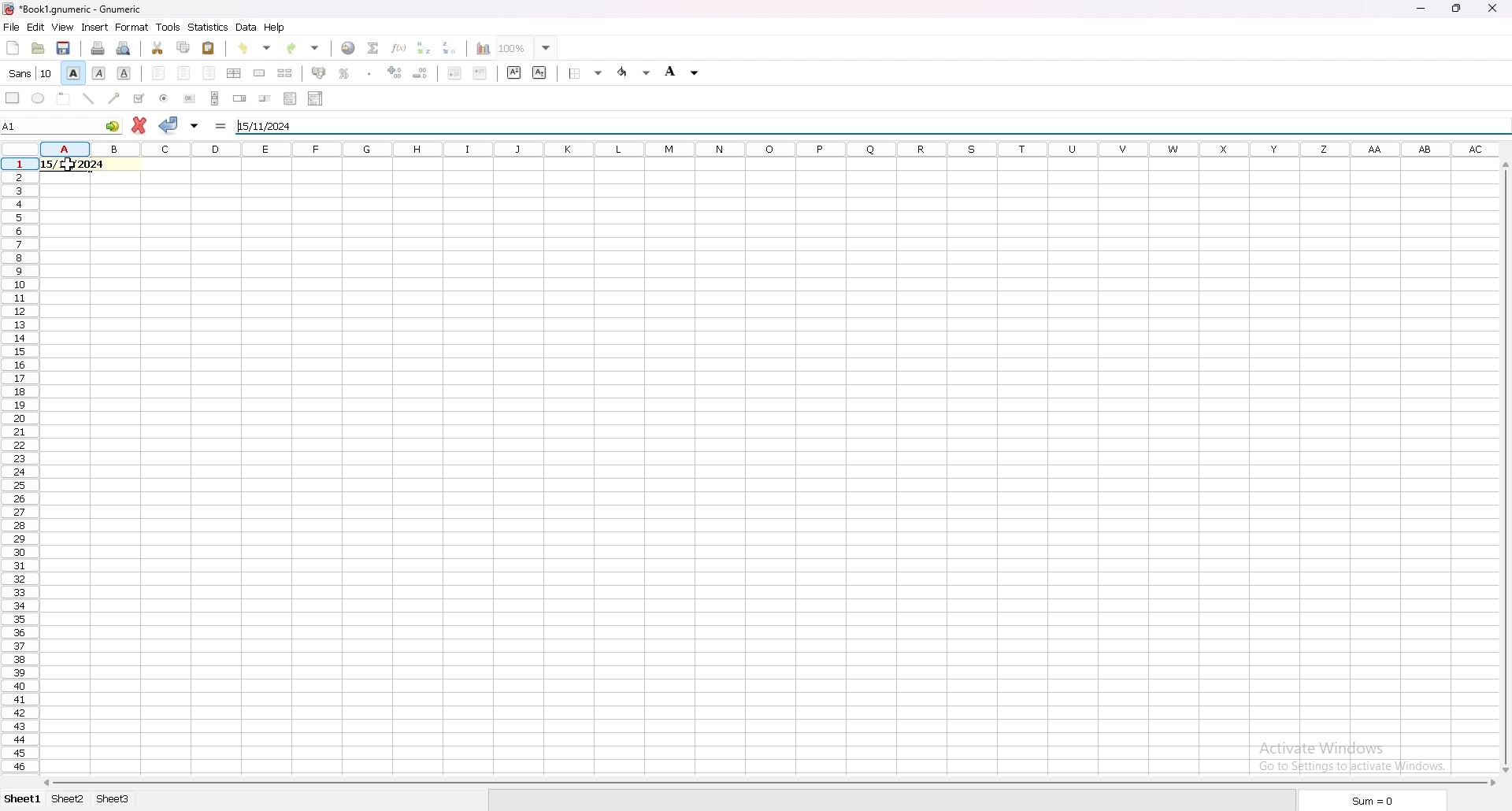 Image resolution: width=1512 pixels, height=811 pixels. What do you see at coordinates (18, 468) in the screenshot?
I see `rows` at bounding box center [18, 468].